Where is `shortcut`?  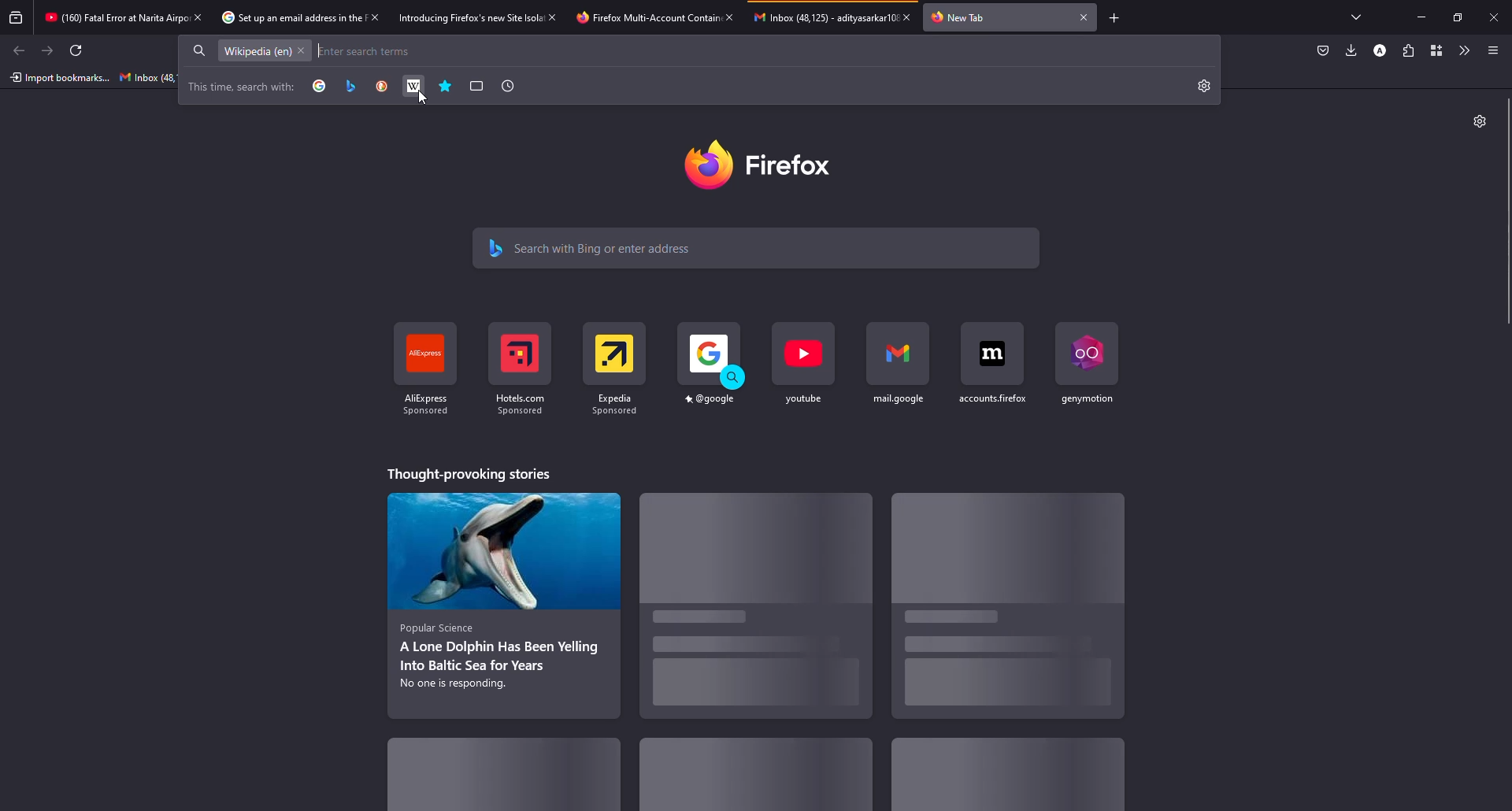 shortcut is located at coordinates (989, 378).